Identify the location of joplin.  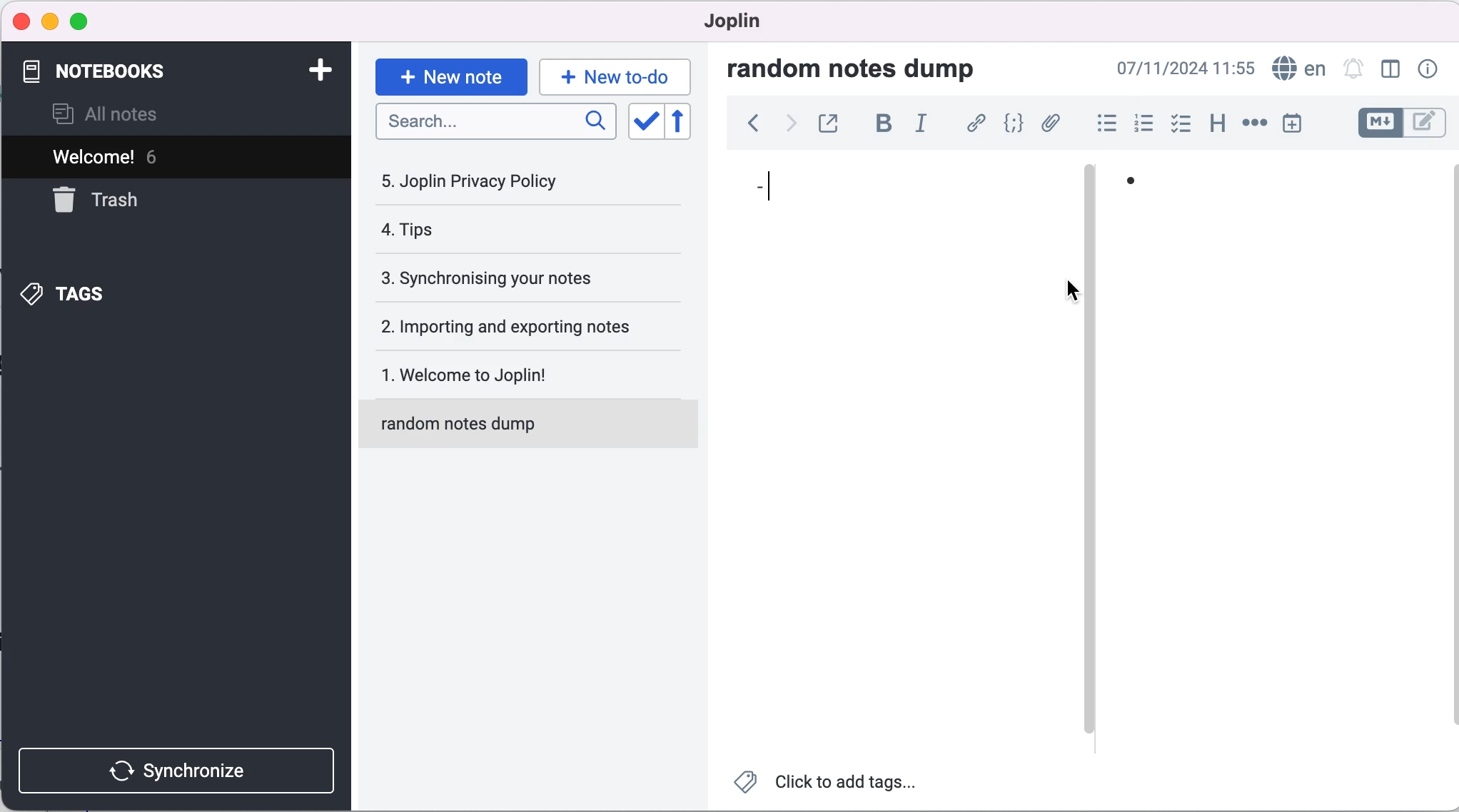
(739, 25).